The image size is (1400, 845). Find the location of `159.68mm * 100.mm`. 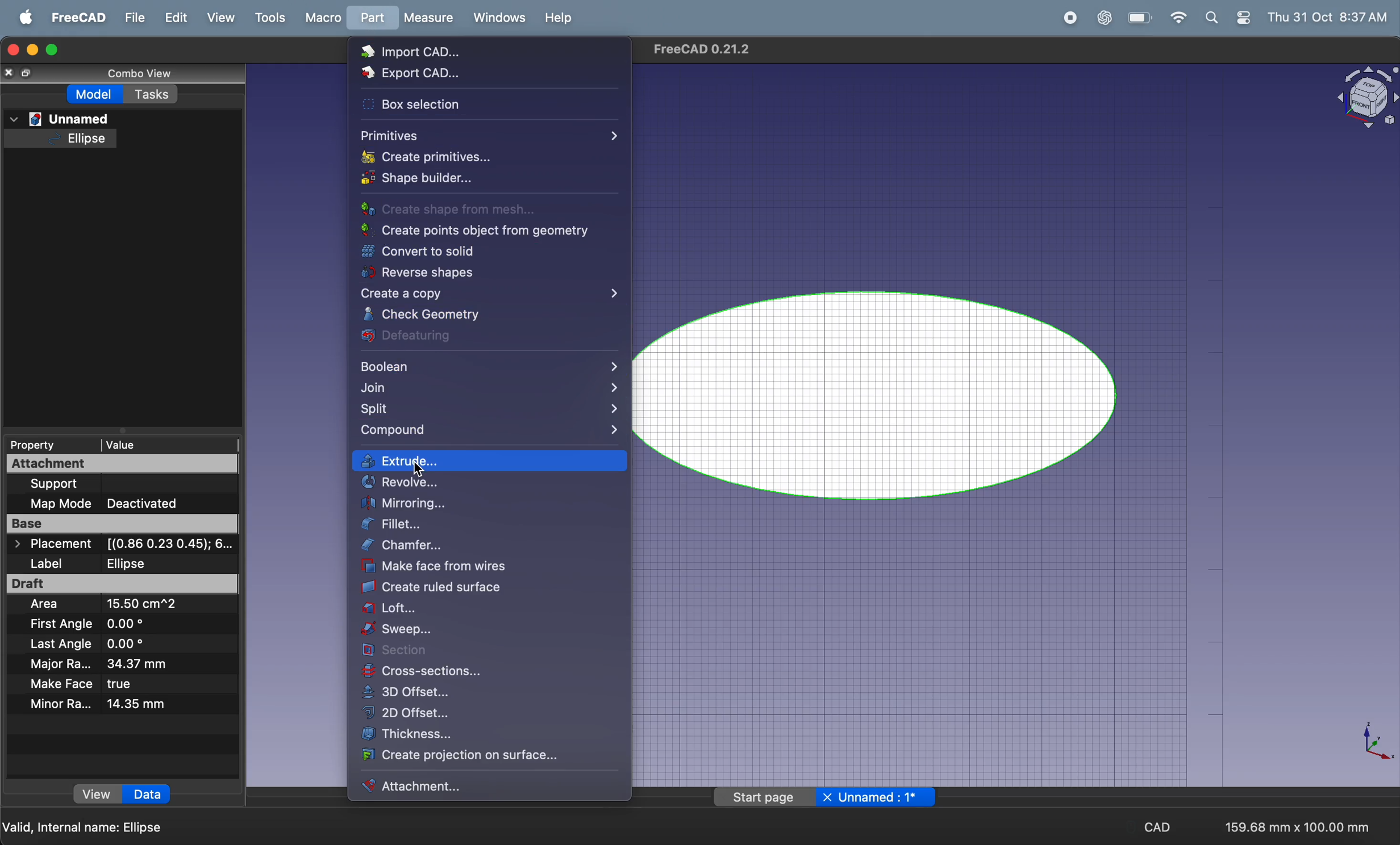

159.68mm * 100.mm is located at coordinates (1294, 823).